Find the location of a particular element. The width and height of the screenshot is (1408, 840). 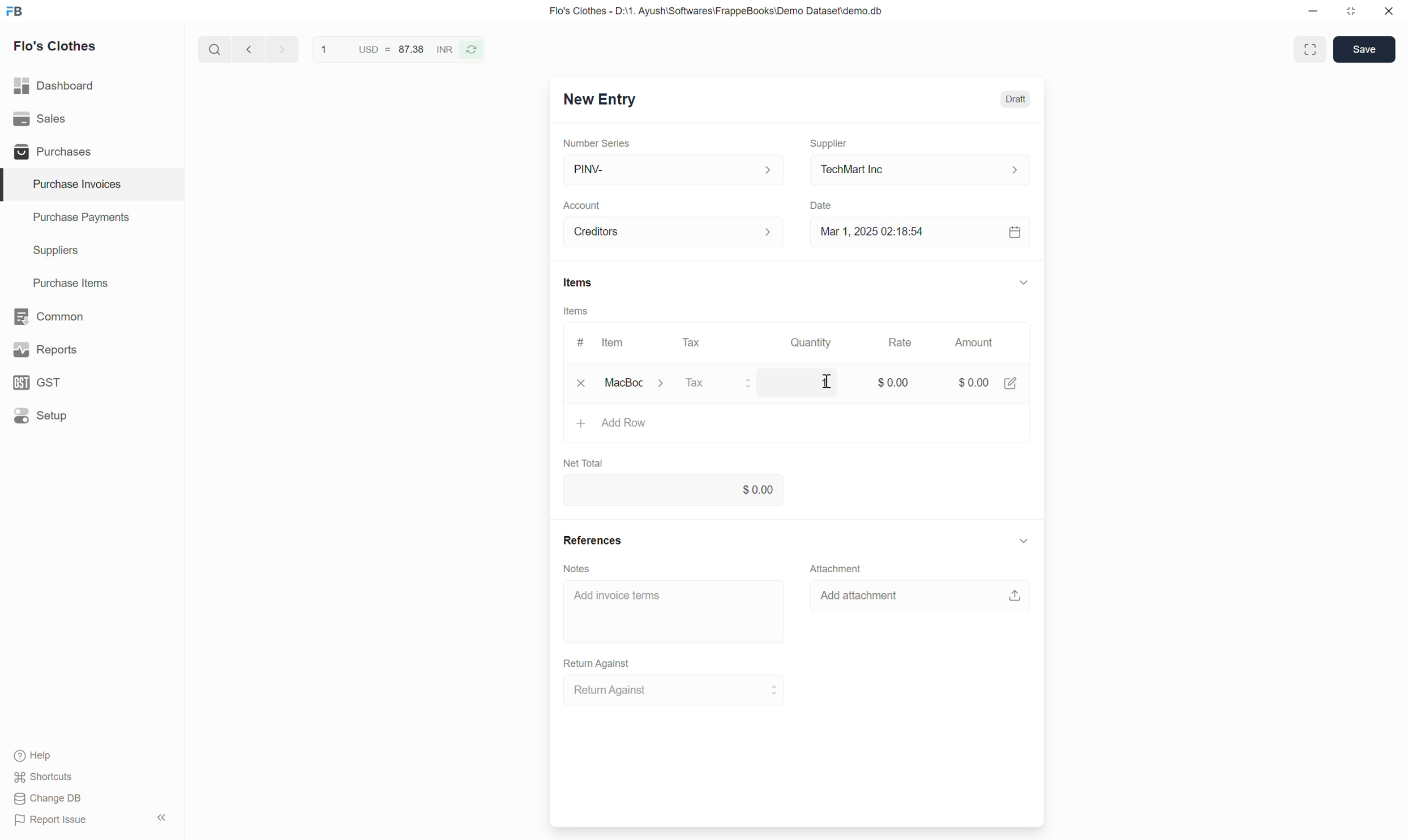

$0.00 is located at coordinates (893, 378).